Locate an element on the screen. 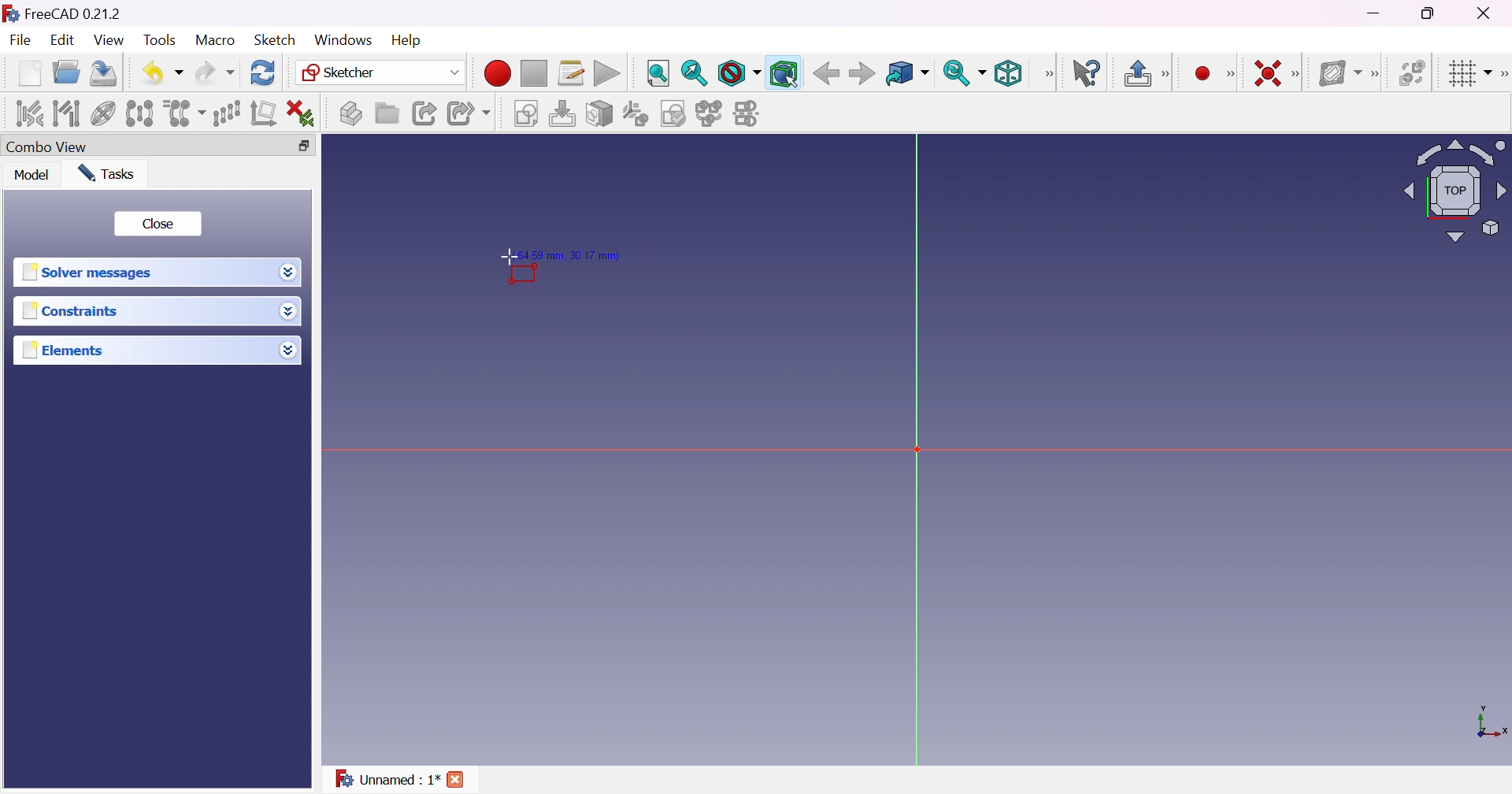 The height and width of the screenshot is (794, 1512). Edit is located at coordinates (63, 40).